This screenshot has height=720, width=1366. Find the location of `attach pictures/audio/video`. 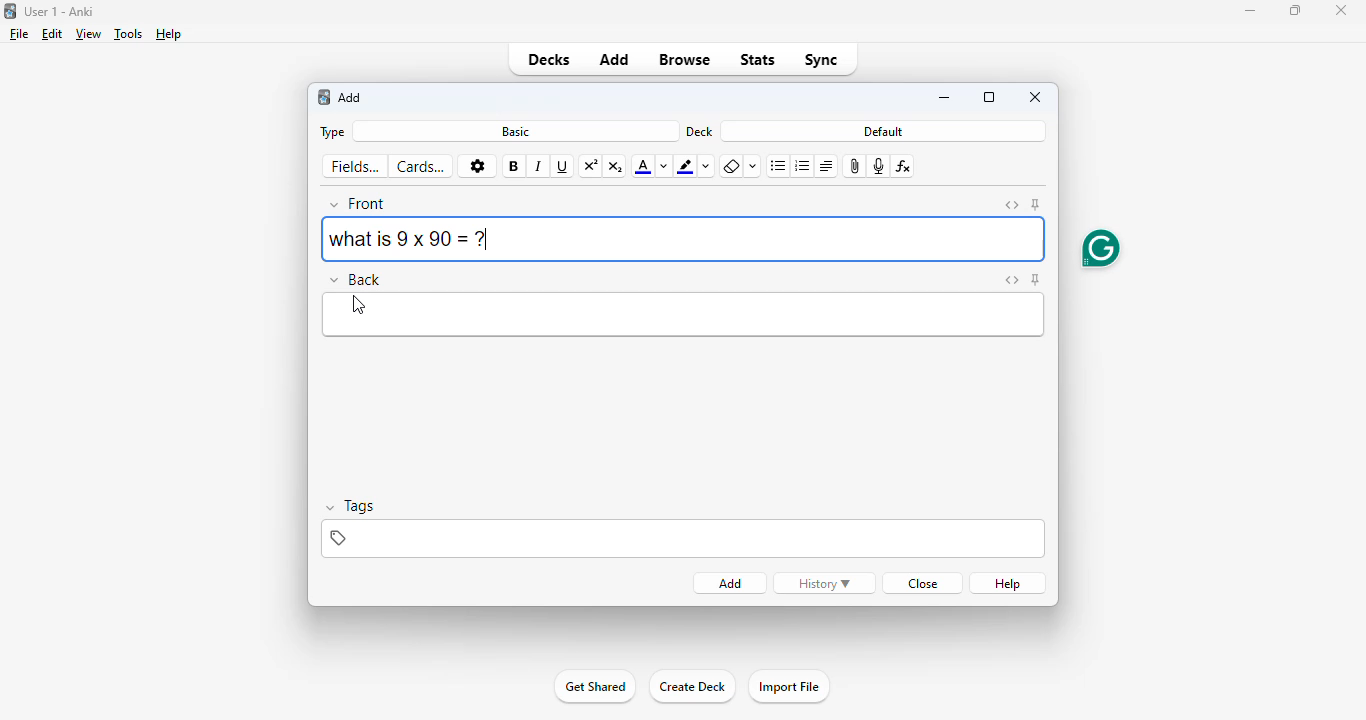

attach pictures/audio/video is located at coordinates (856, 166).